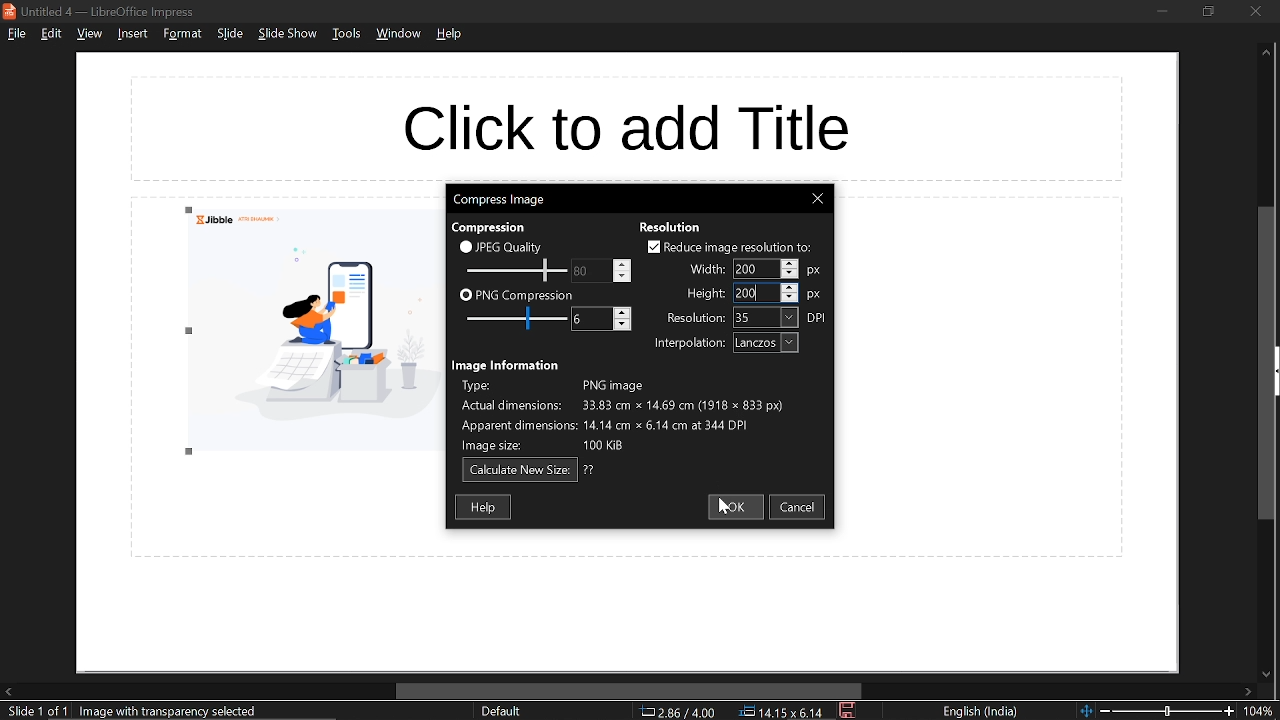 The image size is (1280, 720). I want to click on space for title, so click(623, 126).